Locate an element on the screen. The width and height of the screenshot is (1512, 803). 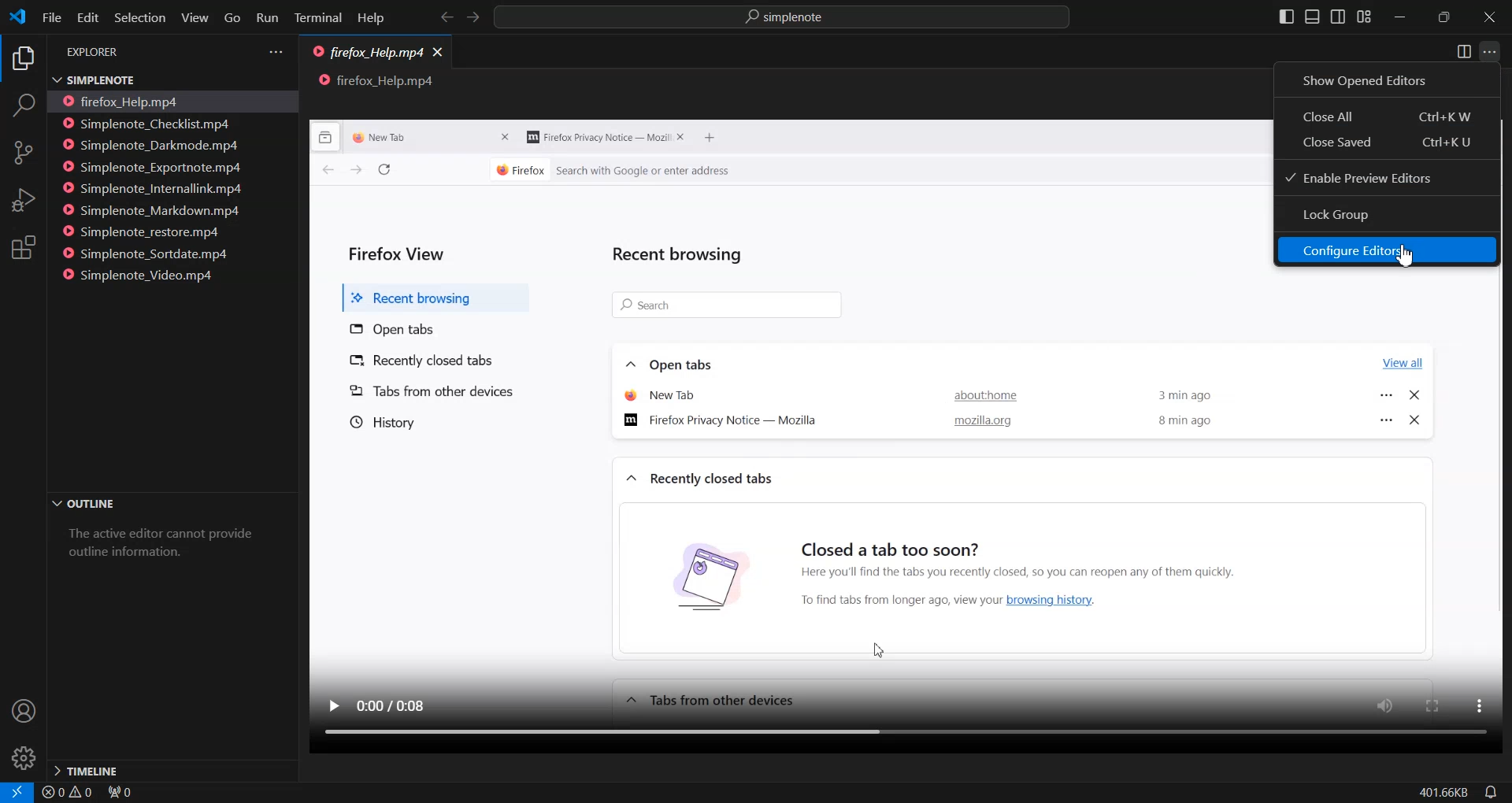
Close all ctrl+KW is located at coordinates (1386, 116).